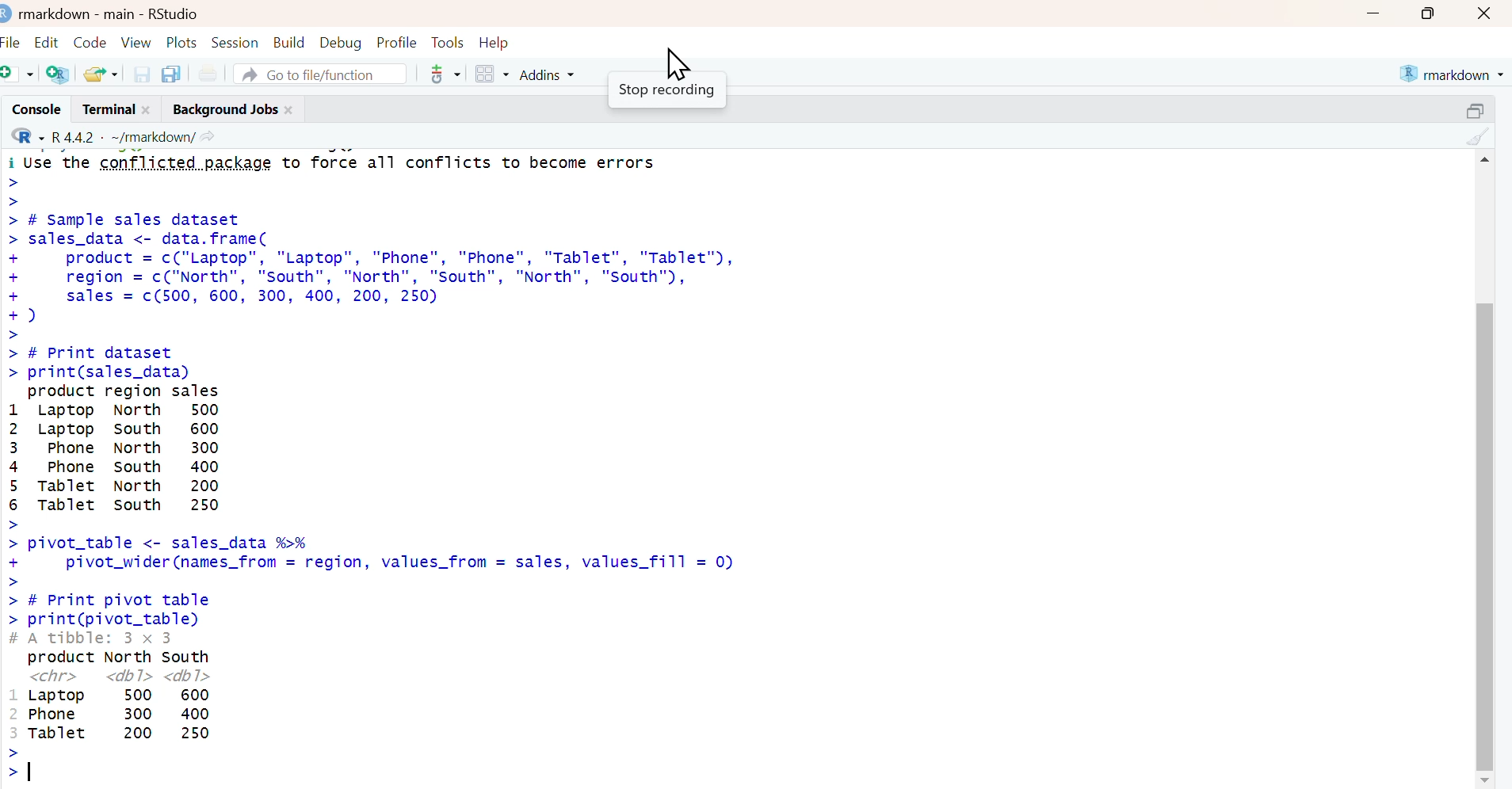 This screenshot has height=789, width=1512. I want to click on markdown - main -, so click(78, 12).